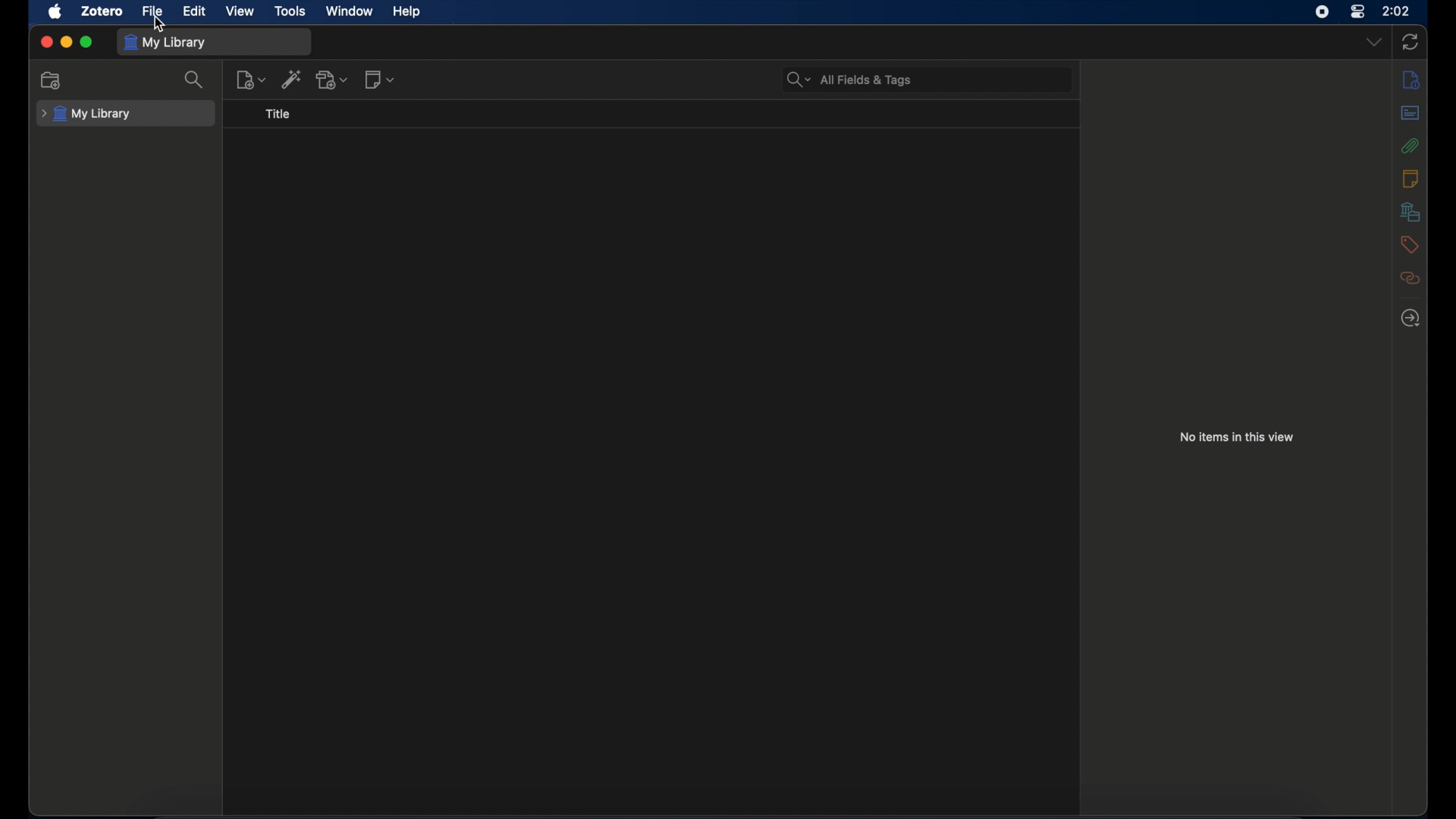 The height and width of the screenshot is (819, 1456). I want to click on my library, so click(88, 114).